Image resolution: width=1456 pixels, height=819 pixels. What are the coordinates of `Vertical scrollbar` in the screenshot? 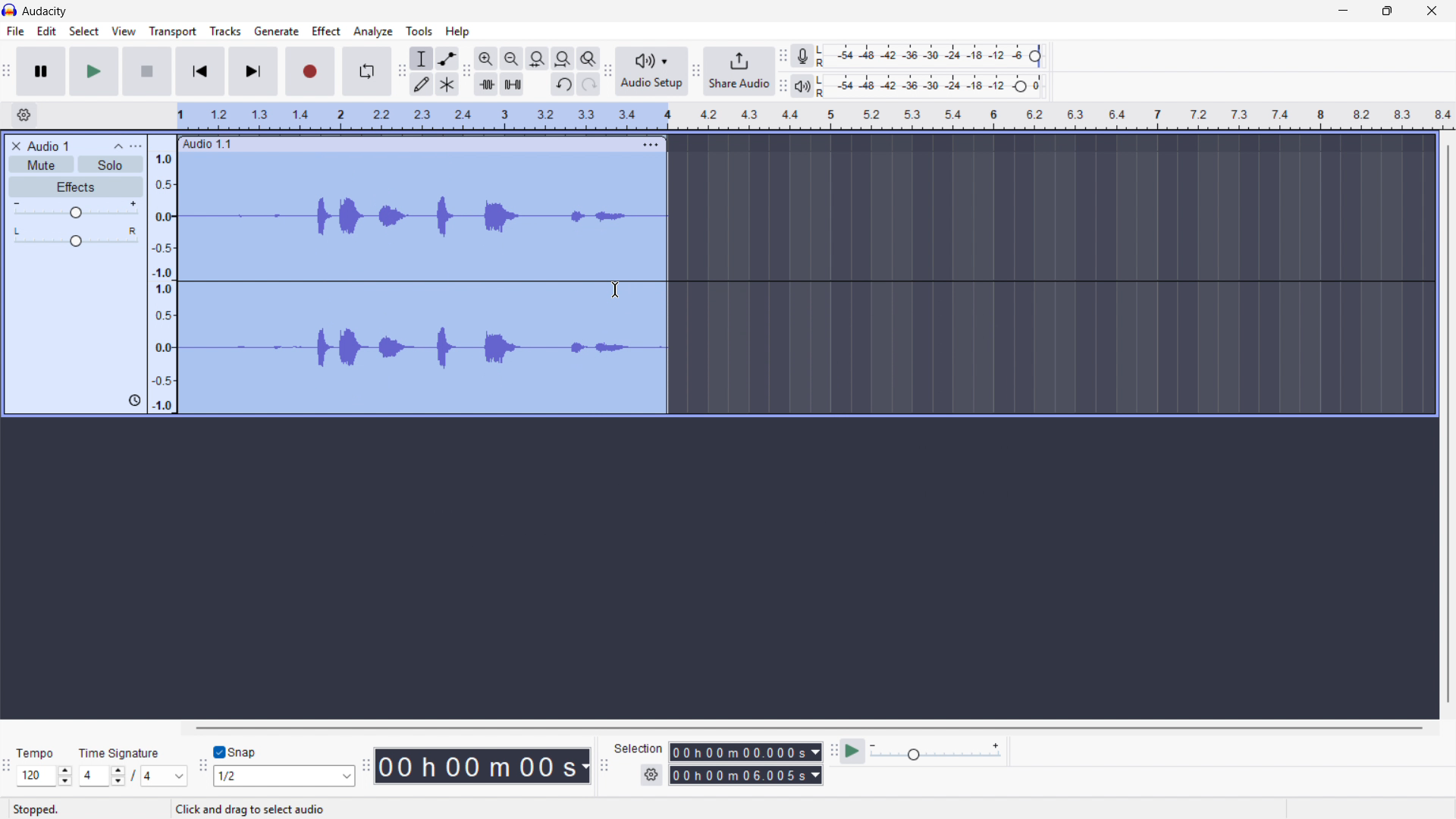 It's located at (1448, 424).